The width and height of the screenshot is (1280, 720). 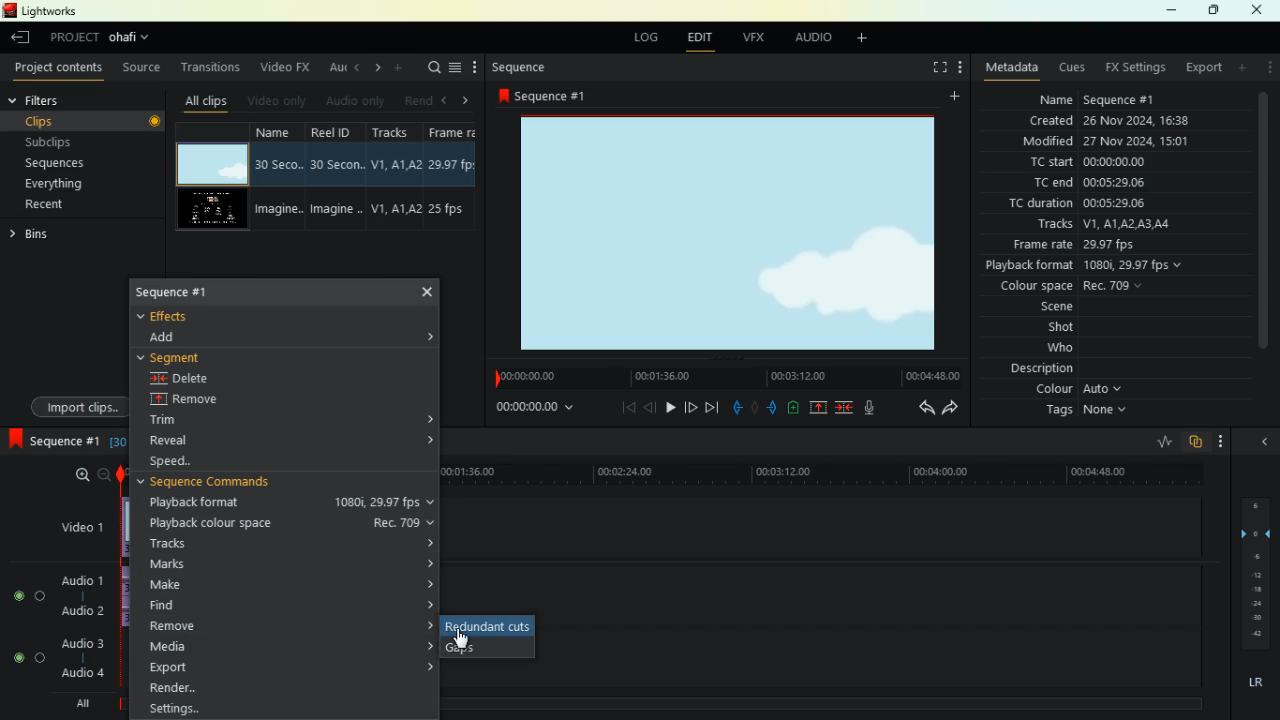 What do you see at coordinates (356, 68) in the screenshot?
I see `left` at bounding box center [356, 68].